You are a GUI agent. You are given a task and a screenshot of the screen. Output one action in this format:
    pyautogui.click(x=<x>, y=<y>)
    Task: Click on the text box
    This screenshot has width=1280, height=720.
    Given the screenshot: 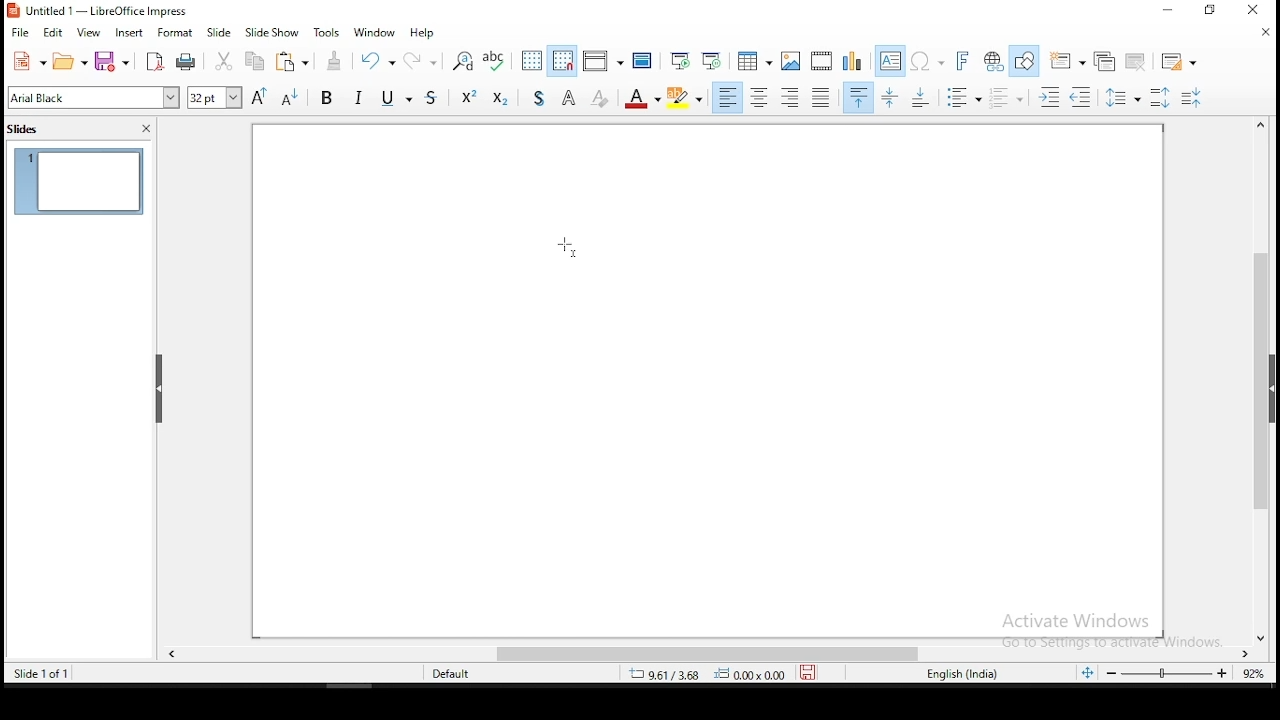 What is the action you would take?
    pyautogui.click(x=891, y=61)
    